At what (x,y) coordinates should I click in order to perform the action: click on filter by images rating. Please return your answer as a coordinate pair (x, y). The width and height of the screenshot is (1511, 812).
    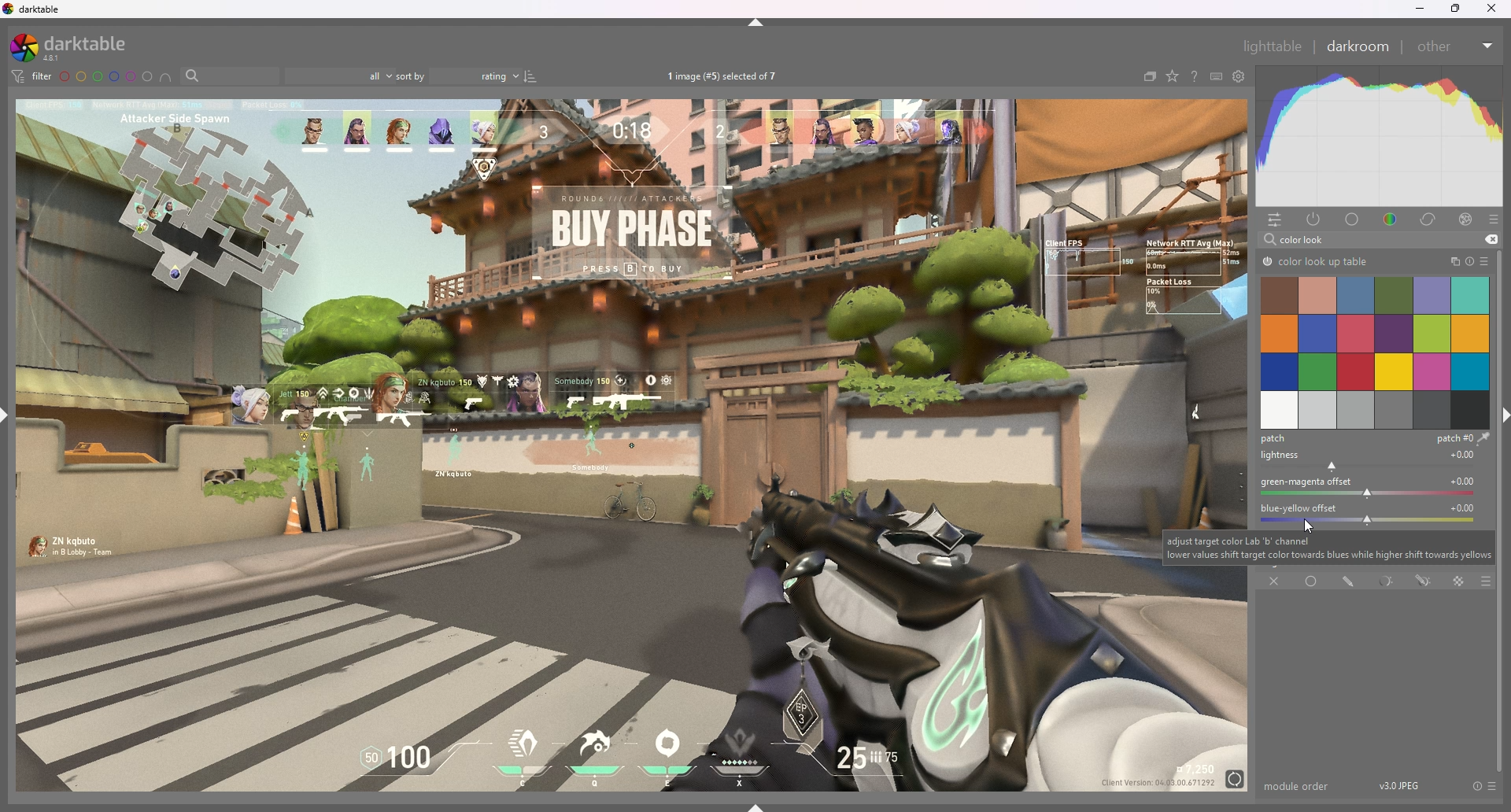
    Looking at the image, I should click on (339, 75).